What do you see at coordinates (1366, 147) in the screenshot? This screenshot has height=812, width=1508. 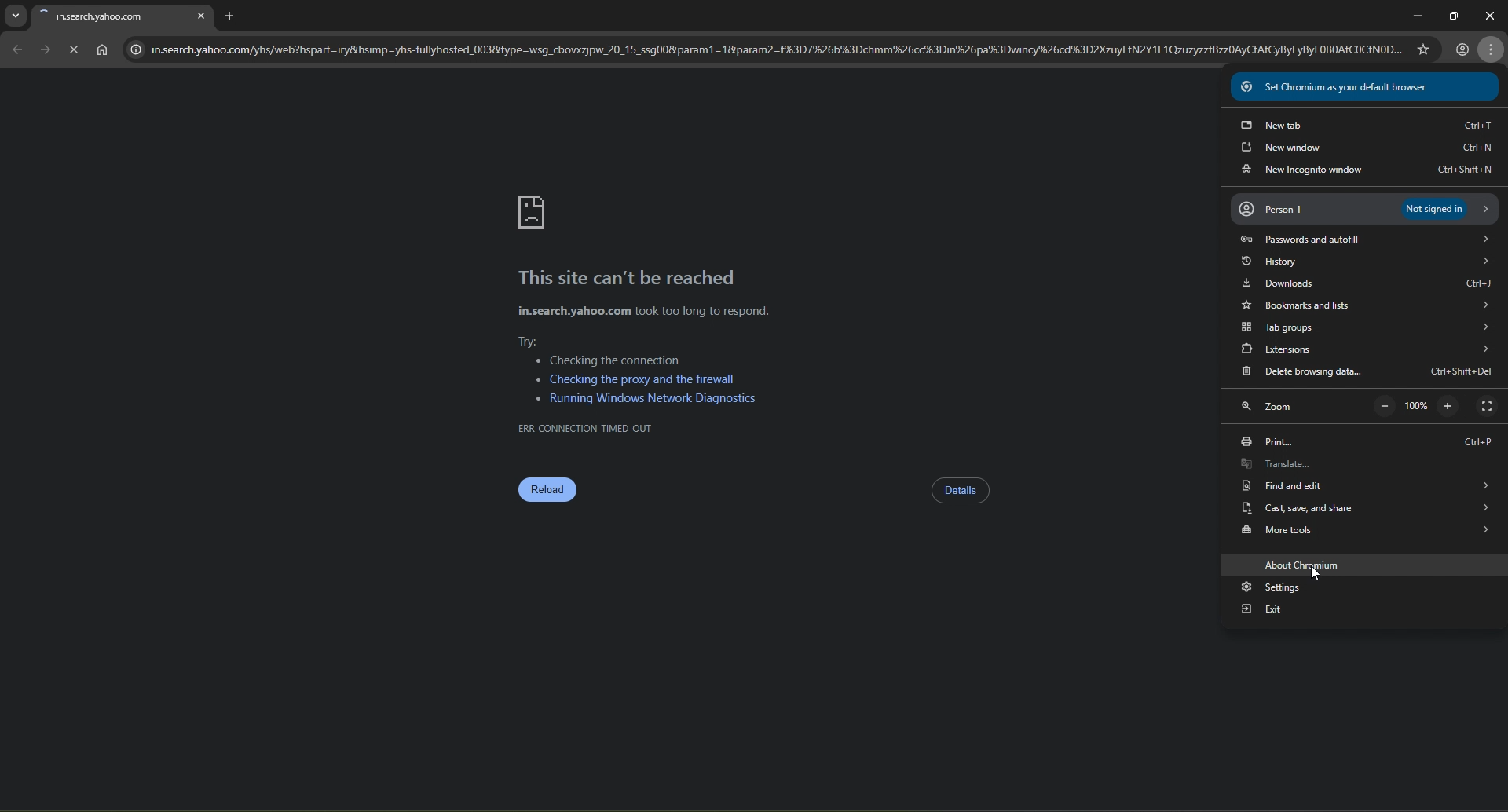 I see `new window` at bounding box center [1366, 147].